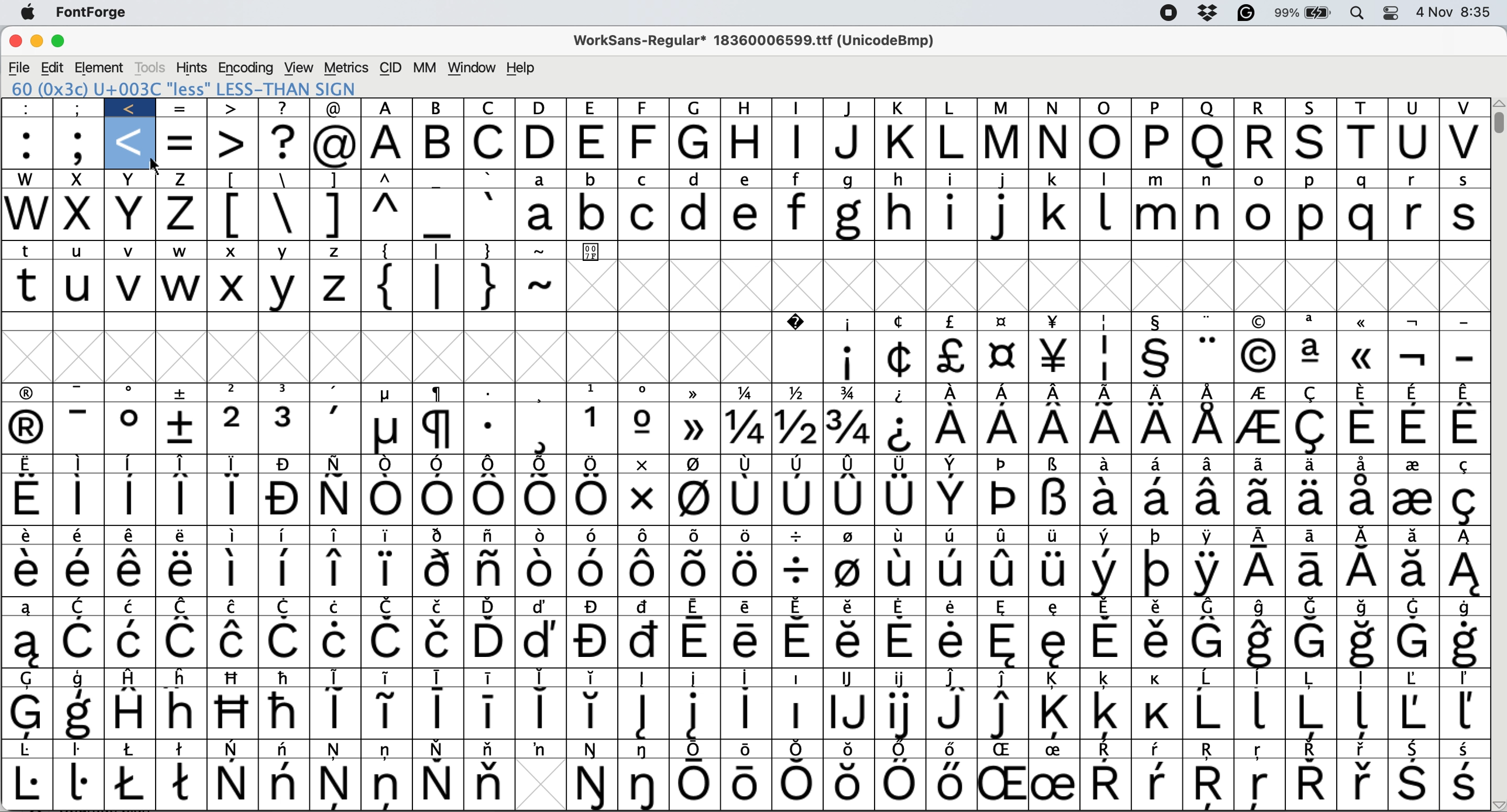  What do you see at coordinates (900, 214) in the screenshot?
I see `h` at bounding box center [900, 214].